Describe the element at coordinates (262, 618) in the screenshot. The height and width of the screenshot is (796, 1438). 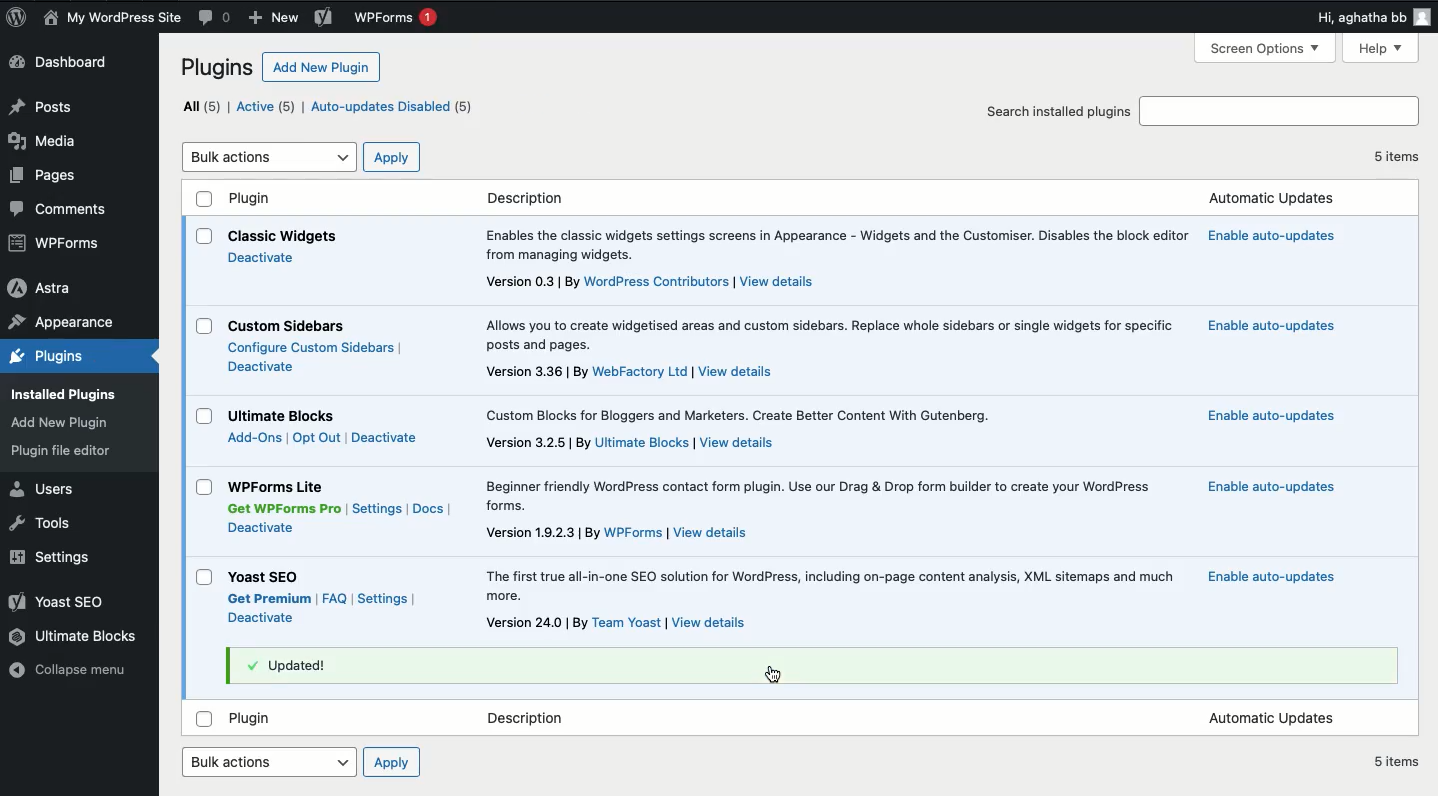
I see `Deactive` at that location.